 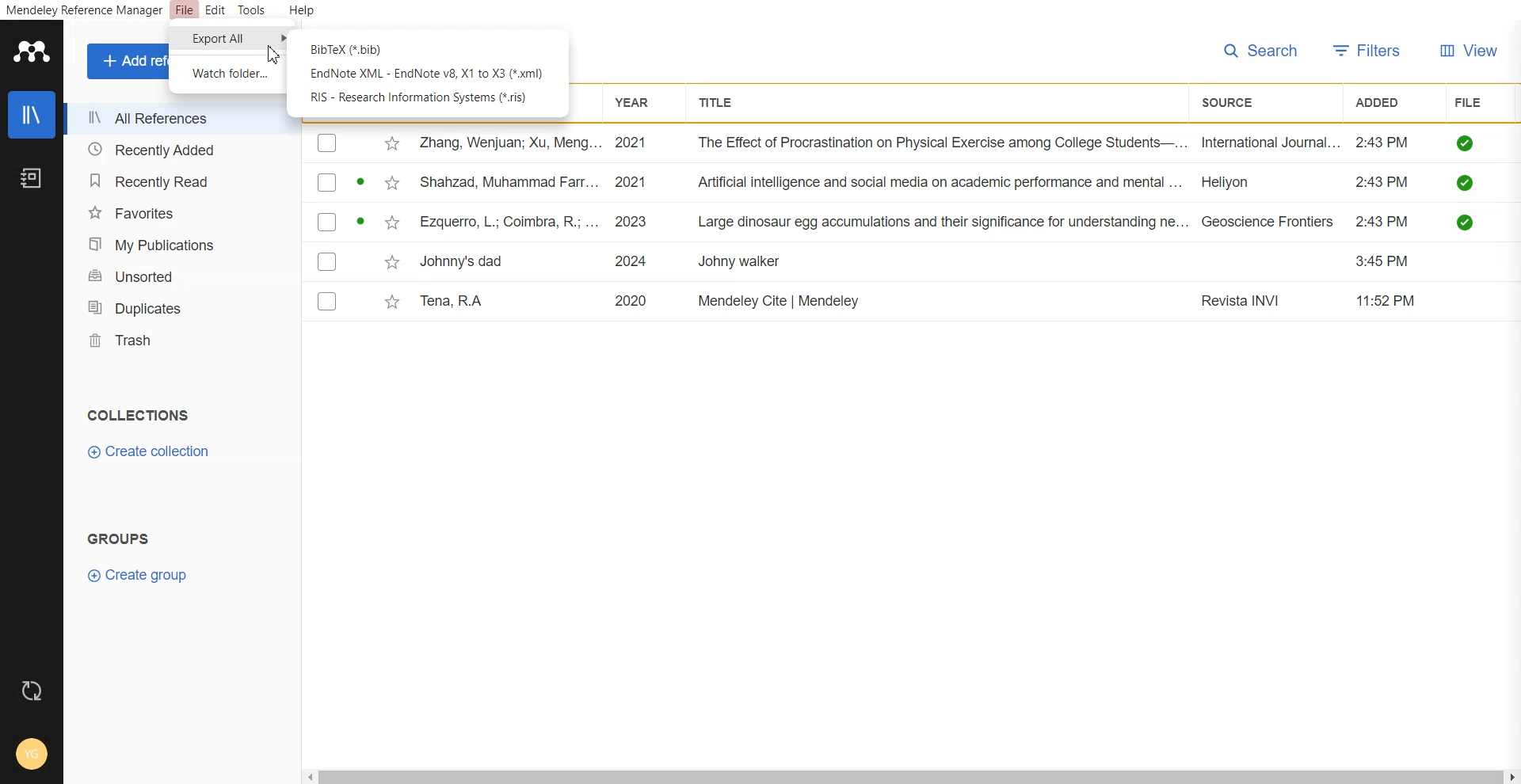 I want to click on Added, so click(x=1386, y=101).